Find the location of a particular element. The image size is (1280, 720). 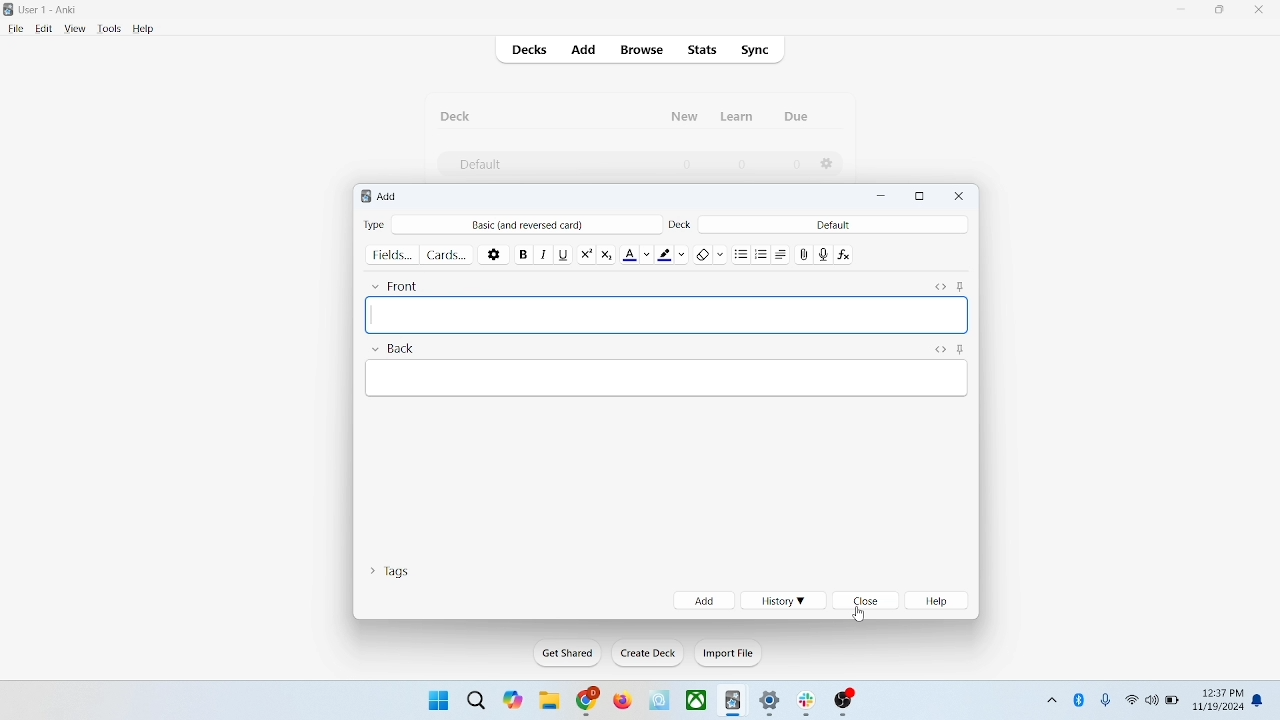

microphone is located at coordinates (1107, 701).